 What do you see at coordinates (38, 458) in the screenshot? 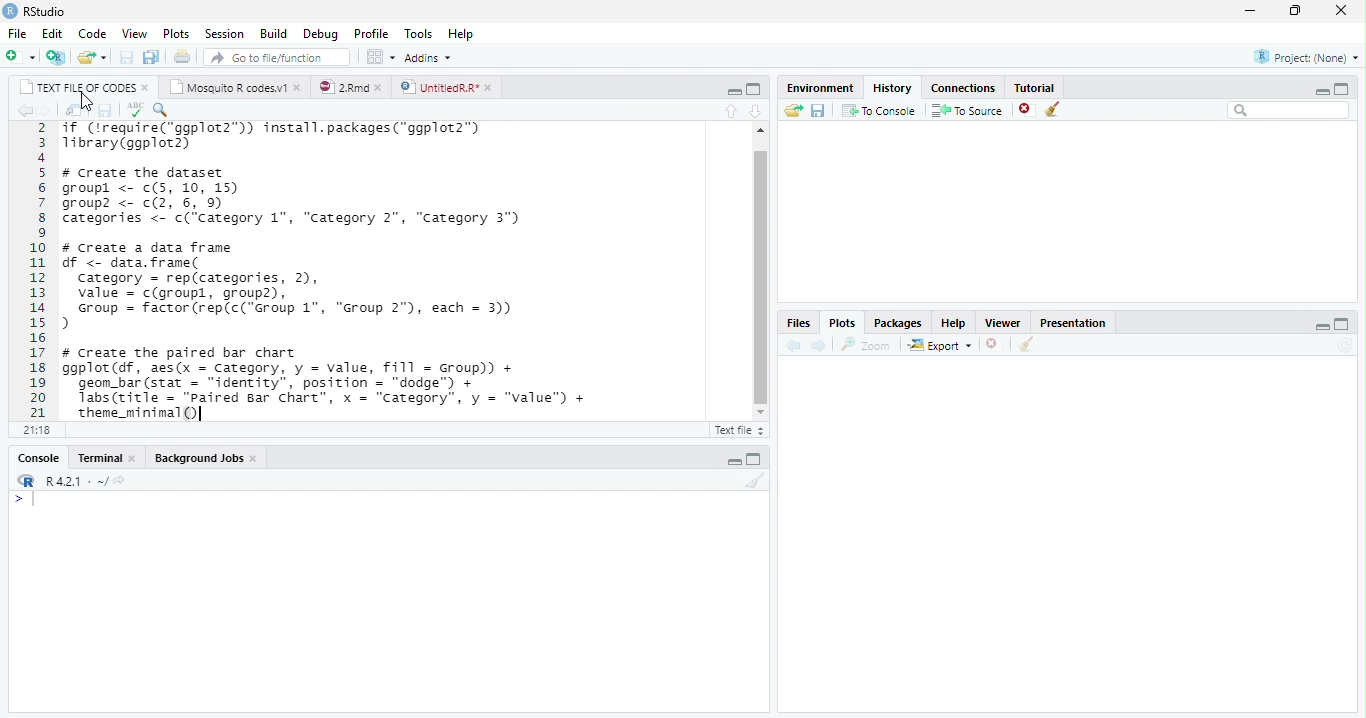
I see `console` at bounding box center [38, 458].